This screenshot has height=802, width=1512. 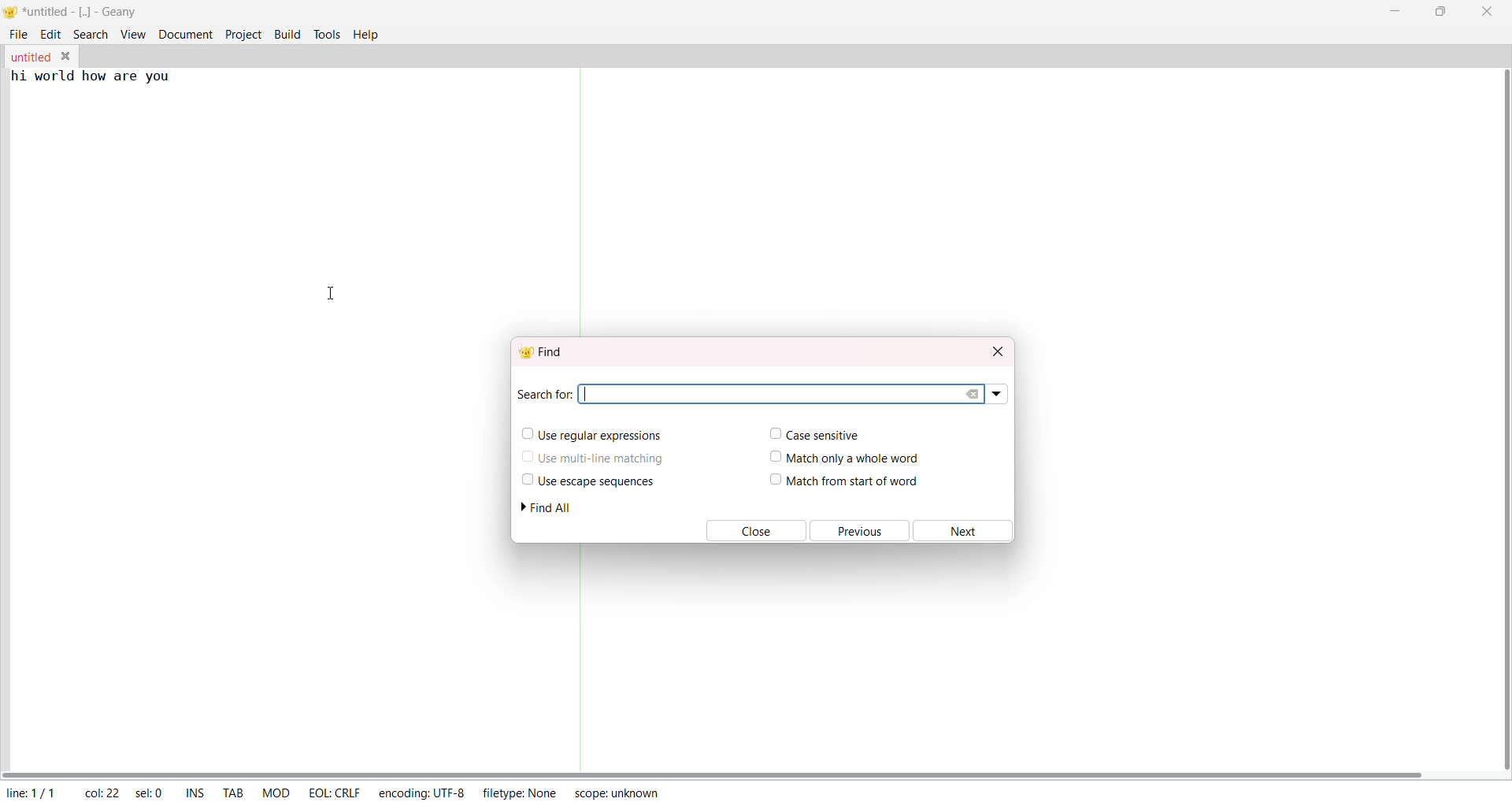 I want to click on eol: crlf, so click(x=333, y=790).